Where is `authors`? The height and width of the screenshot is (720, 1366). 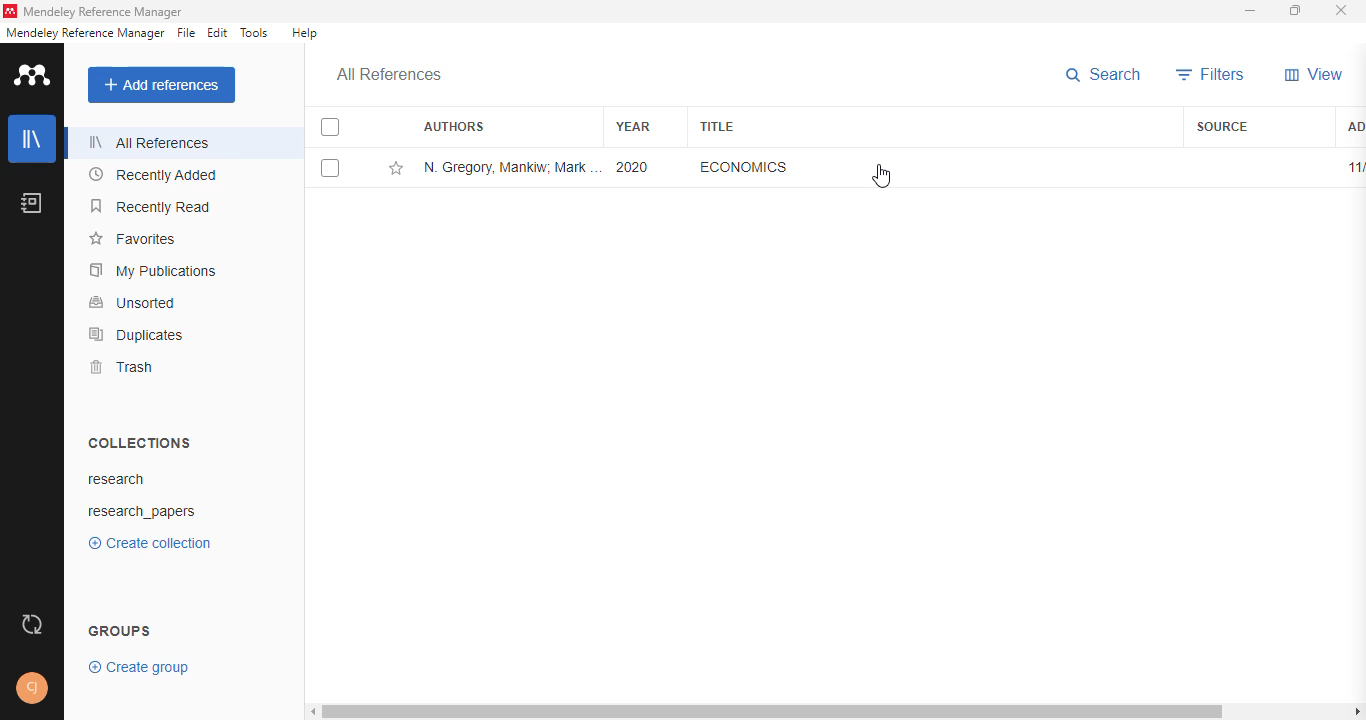 authors is located at coordinates (454, 125).